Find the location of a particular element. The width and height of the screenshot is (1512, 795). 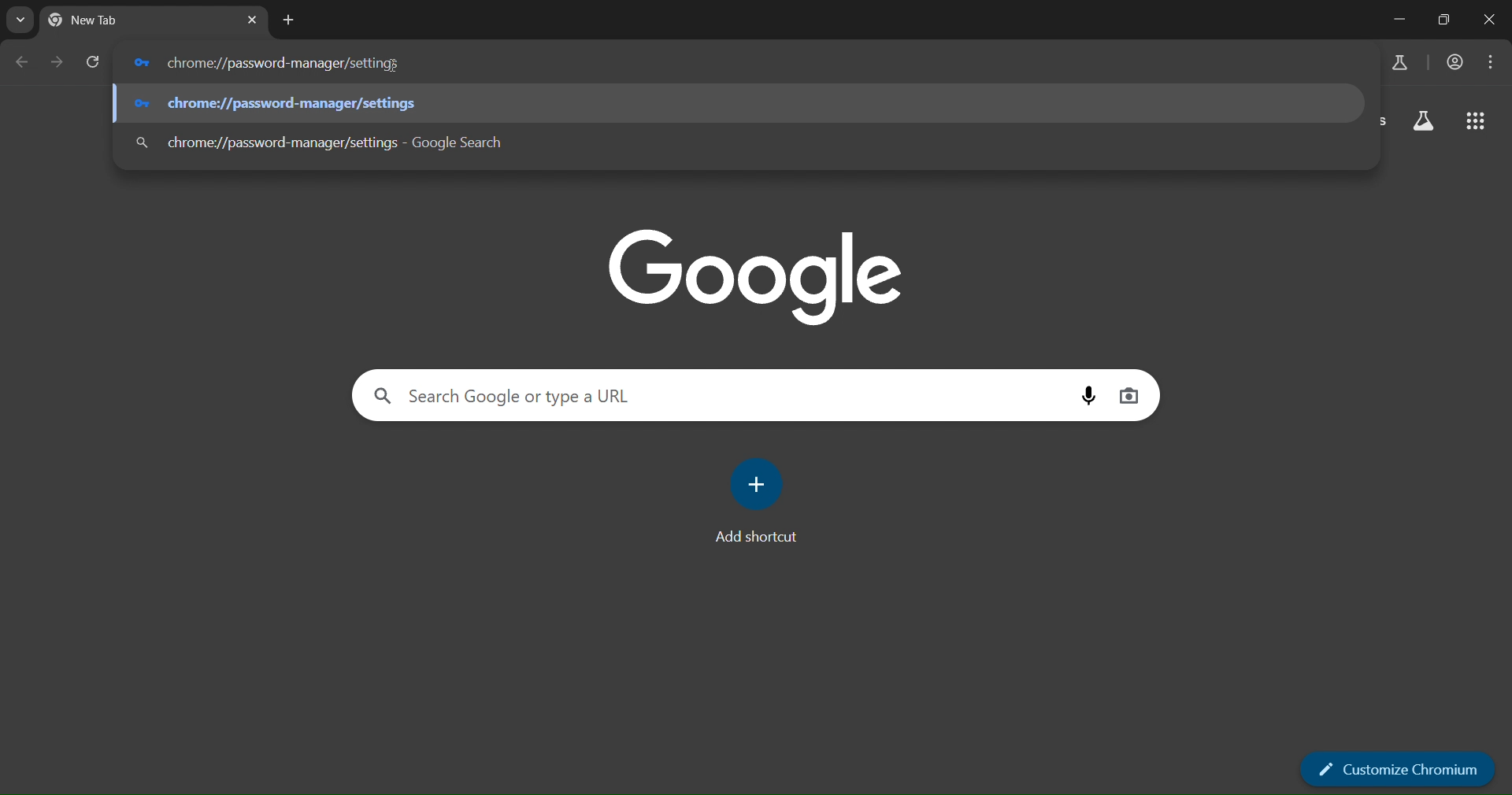

voice search is located at coordinates (1088, 395).